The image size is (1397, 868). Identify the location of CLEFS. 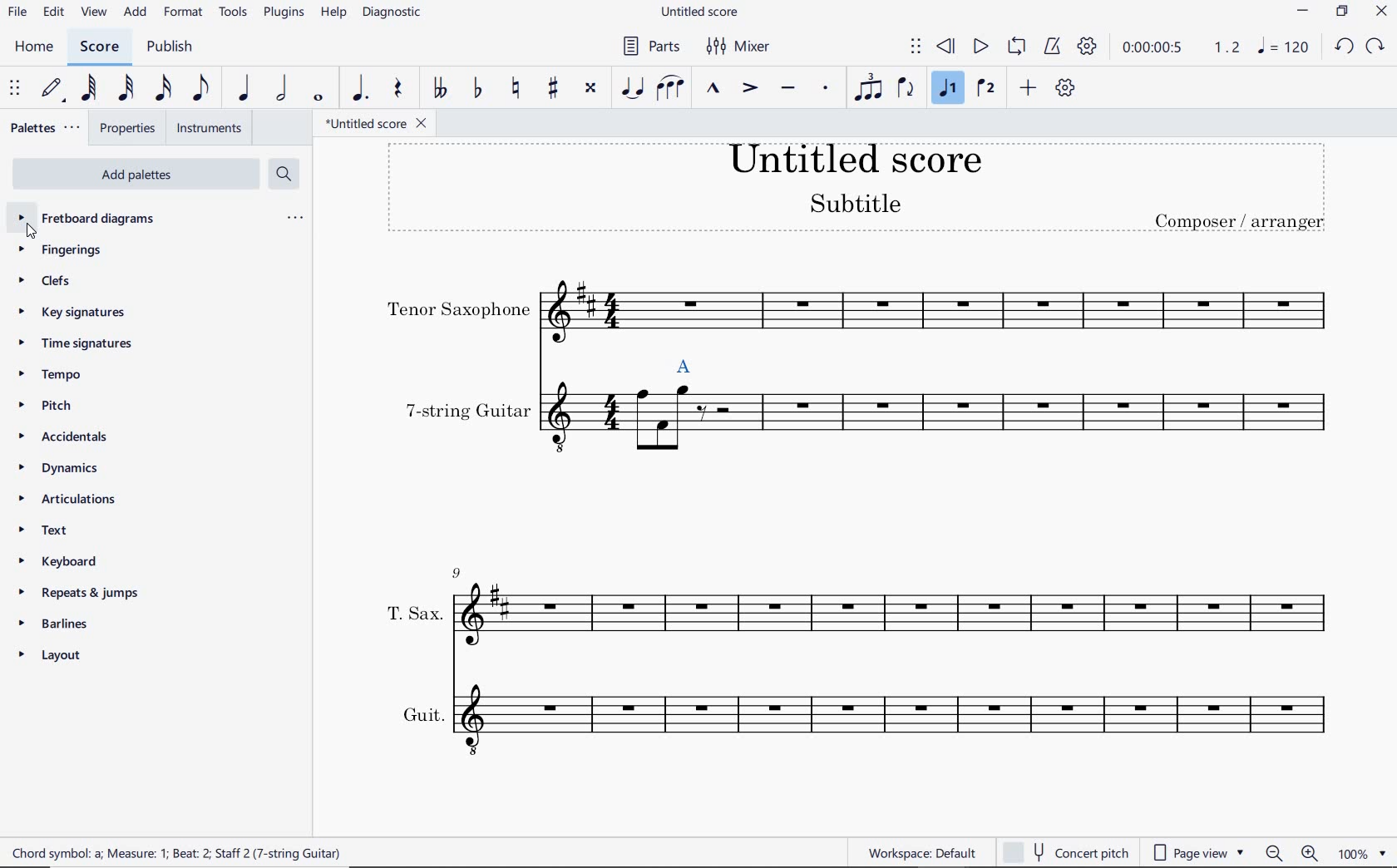
(52, 282).